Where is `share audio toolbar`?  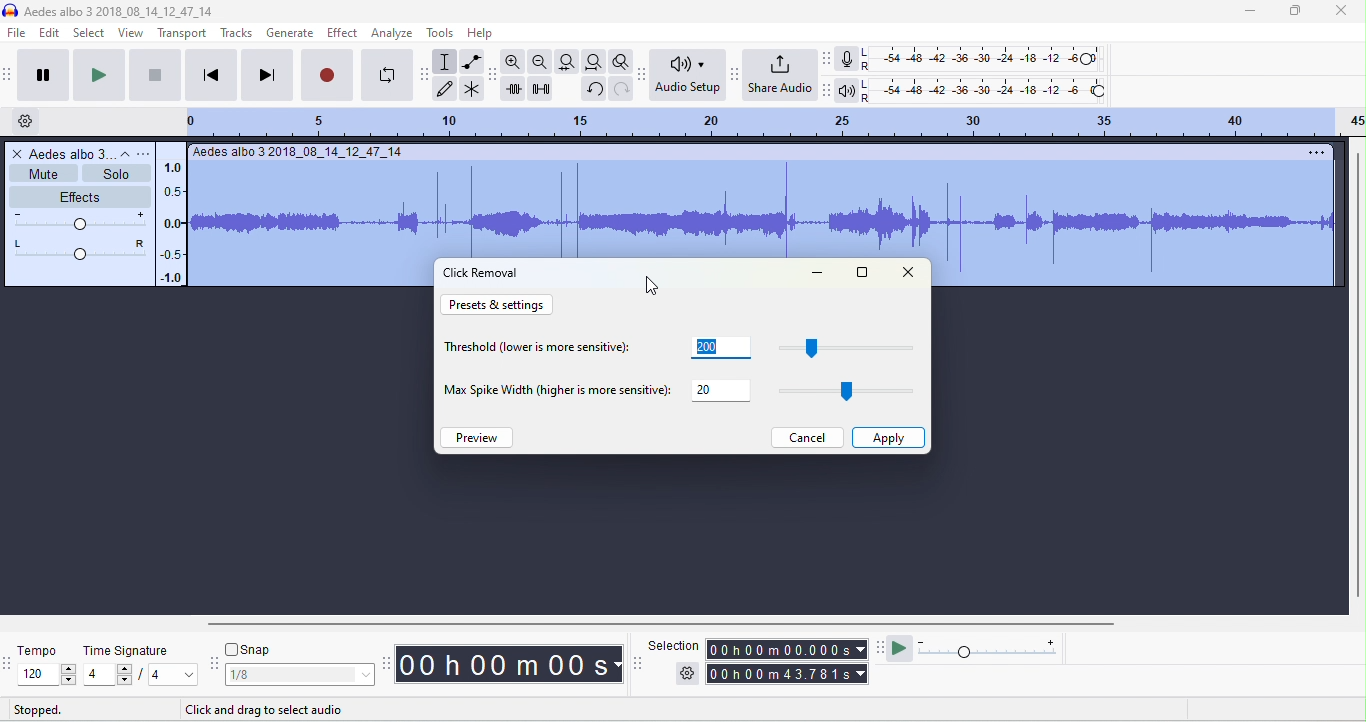
share audio toolbar is located at coordinates (735, 74).